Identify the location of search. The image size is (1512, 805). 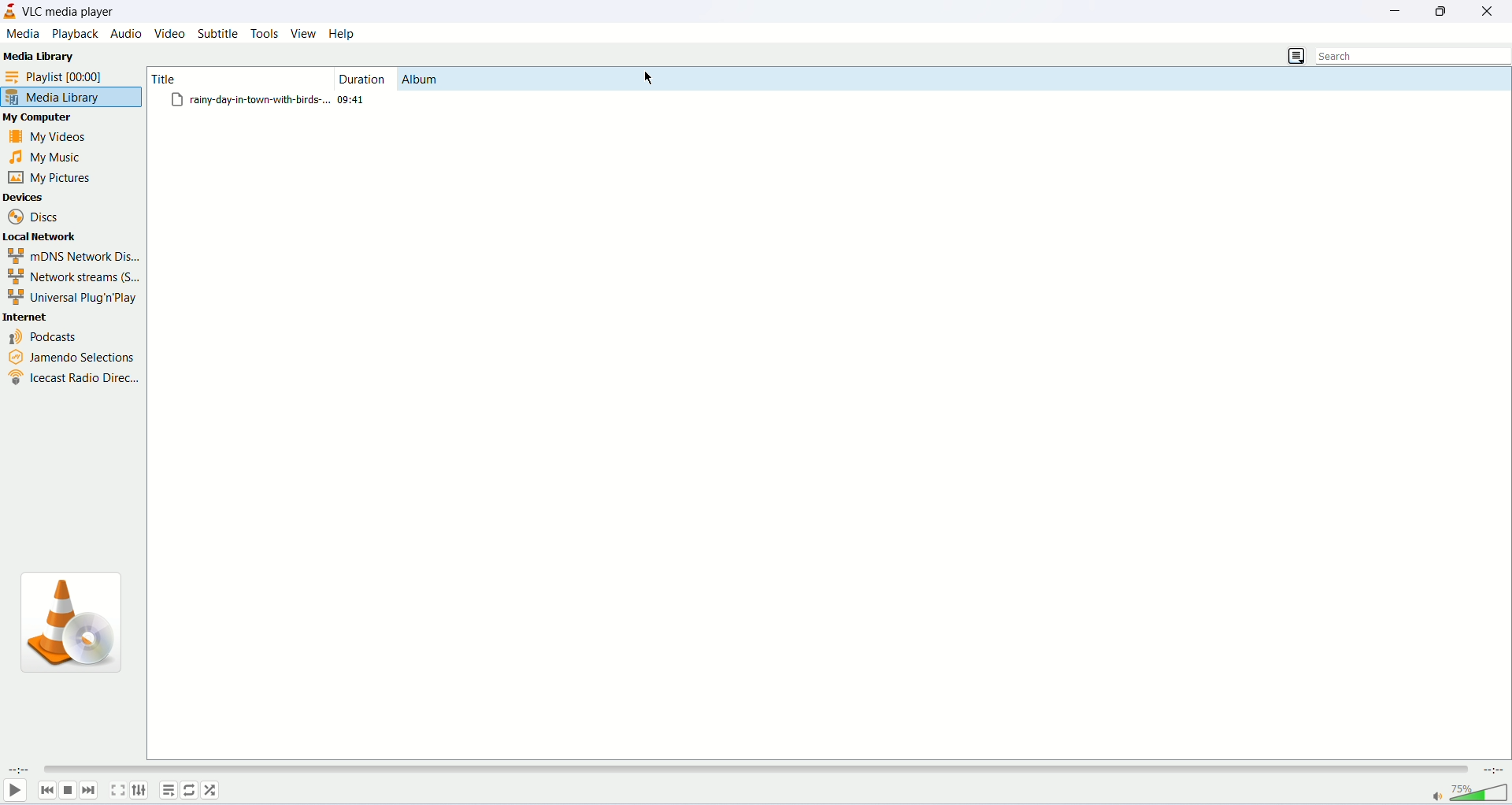
(1413, 55).